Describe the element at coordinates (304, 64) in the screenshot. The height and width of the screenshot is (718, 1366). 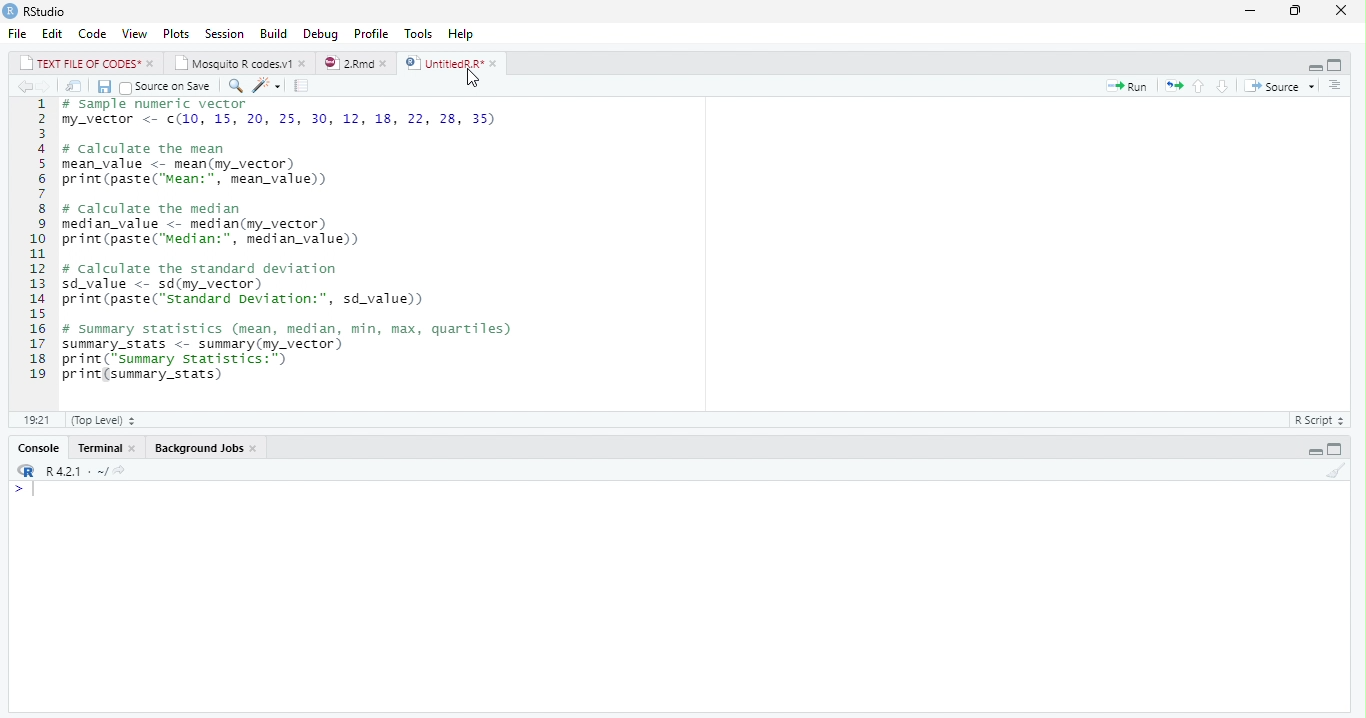
I see `close` at that location.